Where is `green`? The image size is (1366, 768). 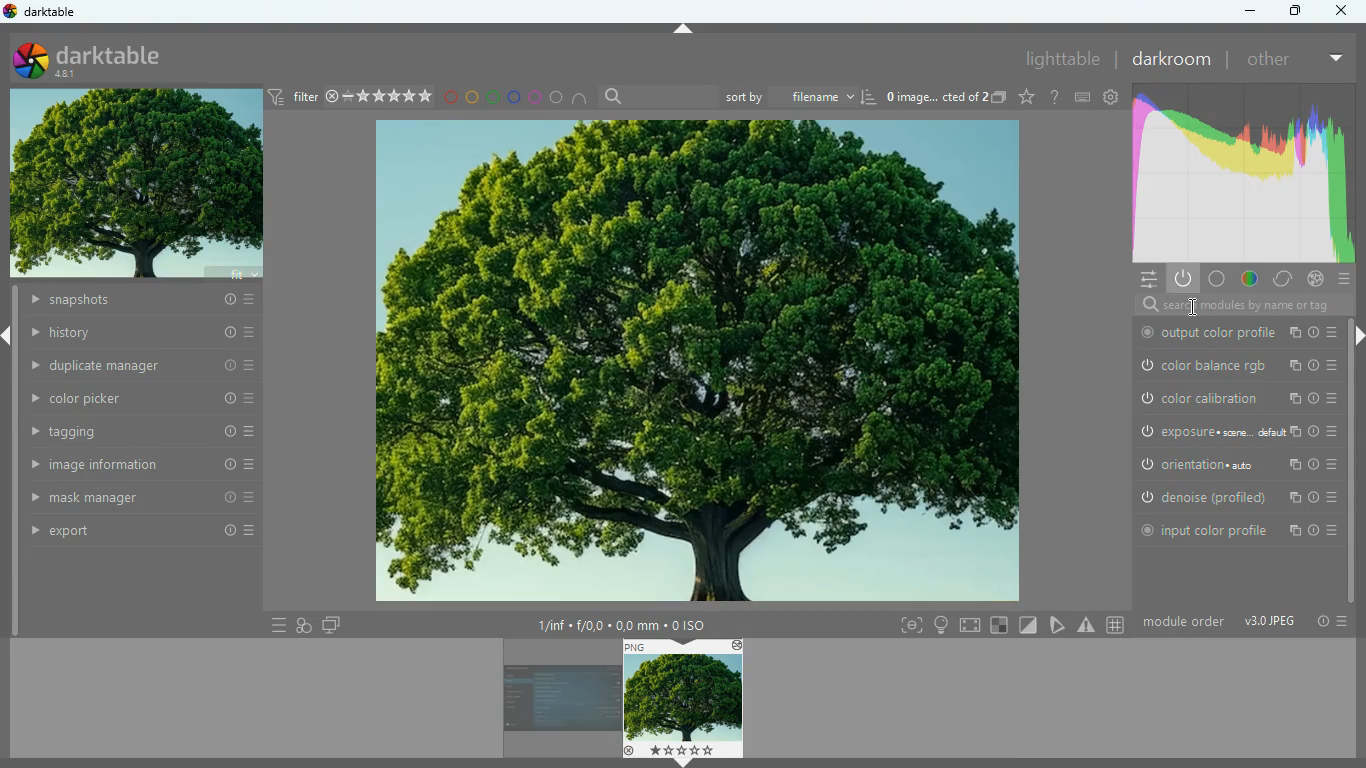 green is located at coordinates (494, 98).